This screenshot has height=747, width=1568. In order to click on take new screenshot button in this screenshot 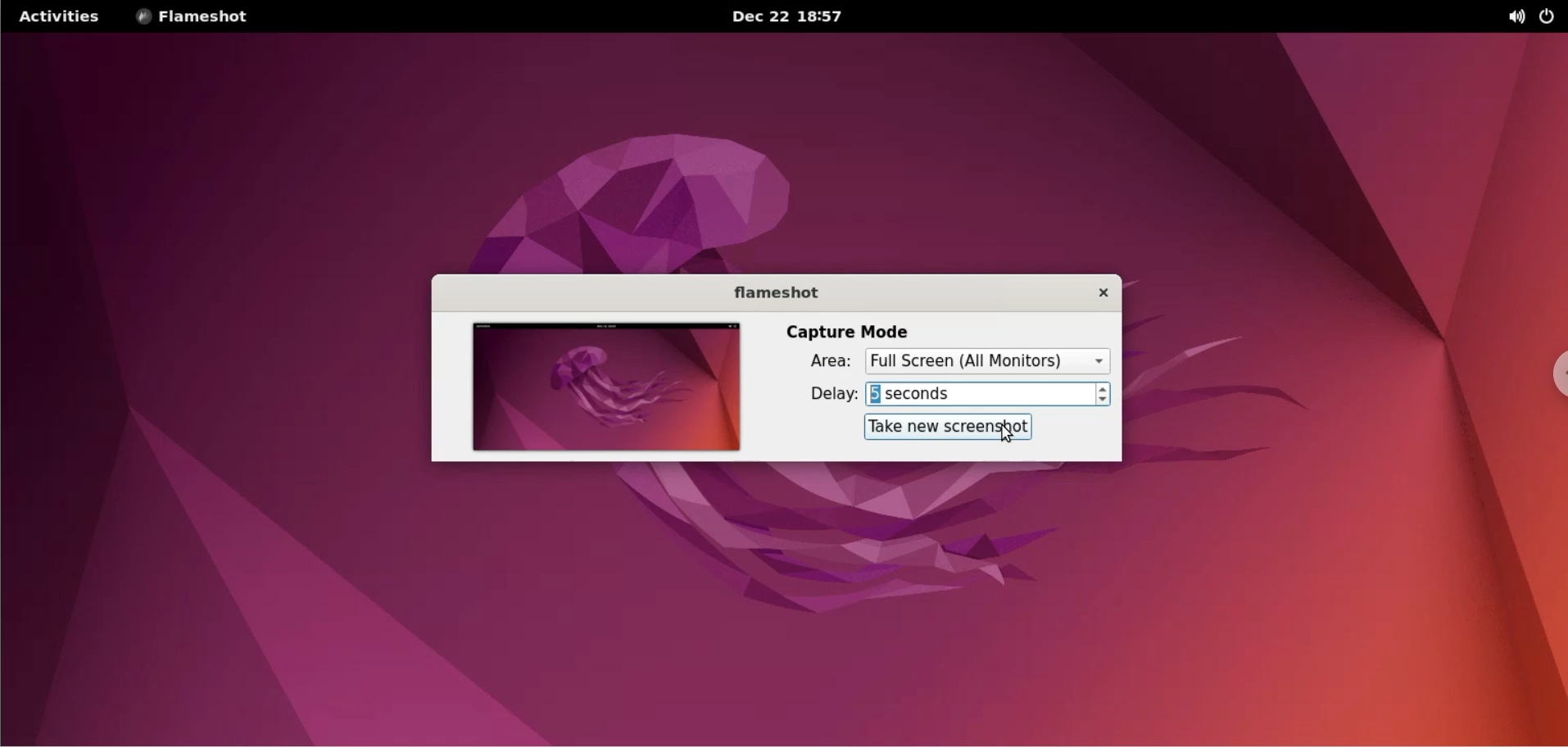, I will do `click(953, 428)`.